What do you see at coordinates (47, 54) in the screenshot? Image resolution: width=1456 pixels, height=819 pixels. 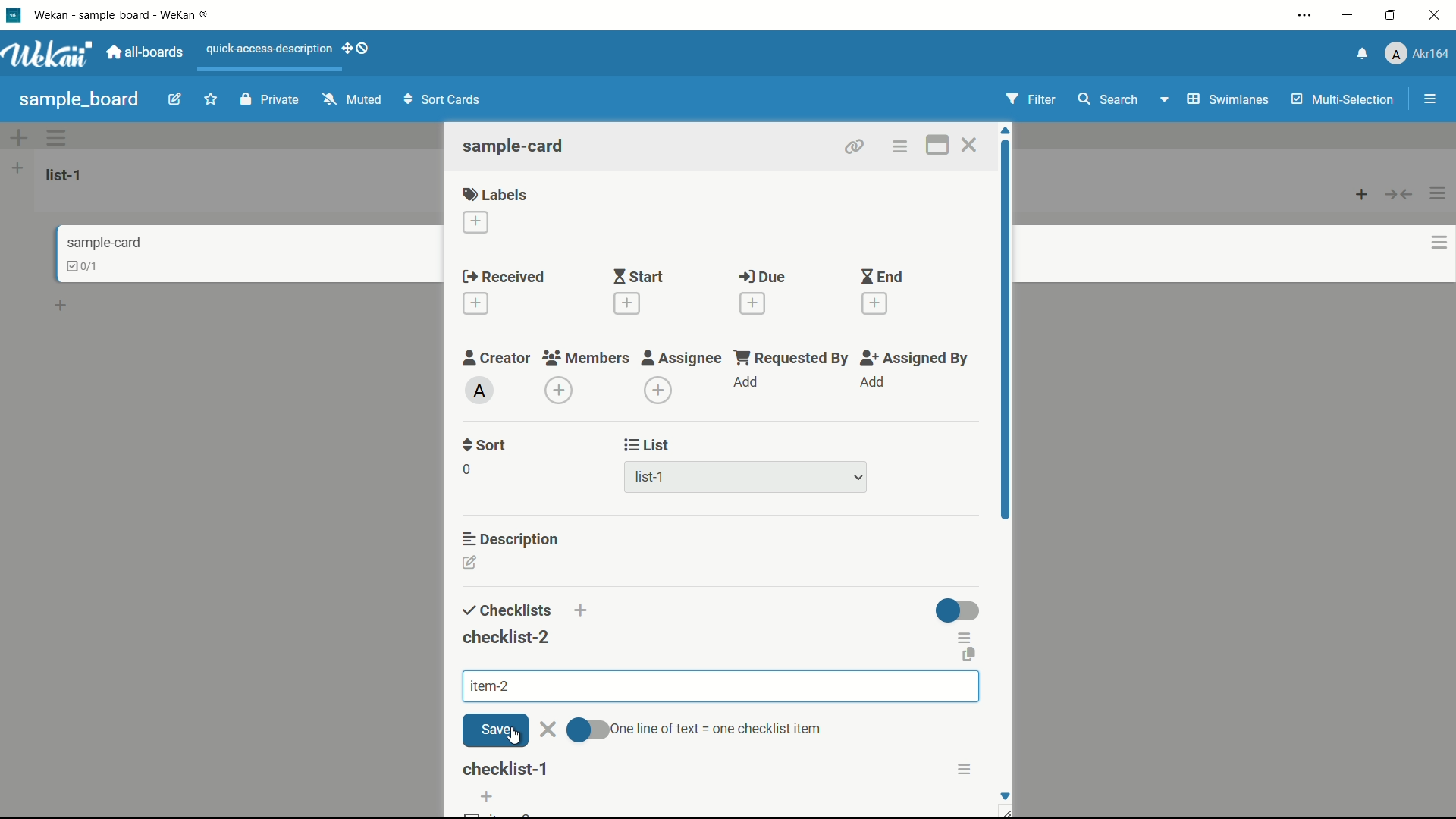 I see `app logo` at bounding box center [47, 54].